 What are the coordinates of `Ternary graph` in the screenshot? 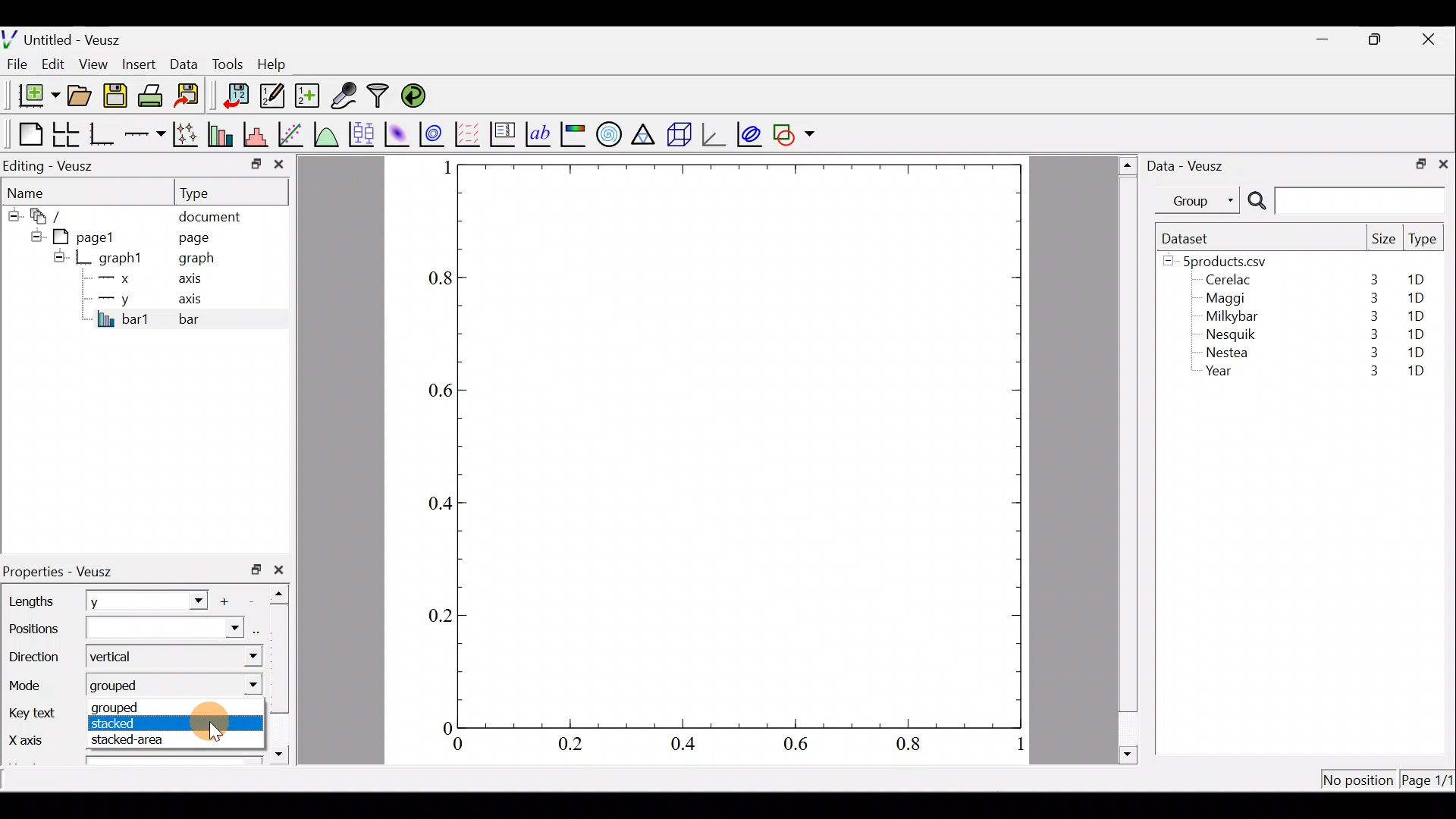 It's located at (645, 132).